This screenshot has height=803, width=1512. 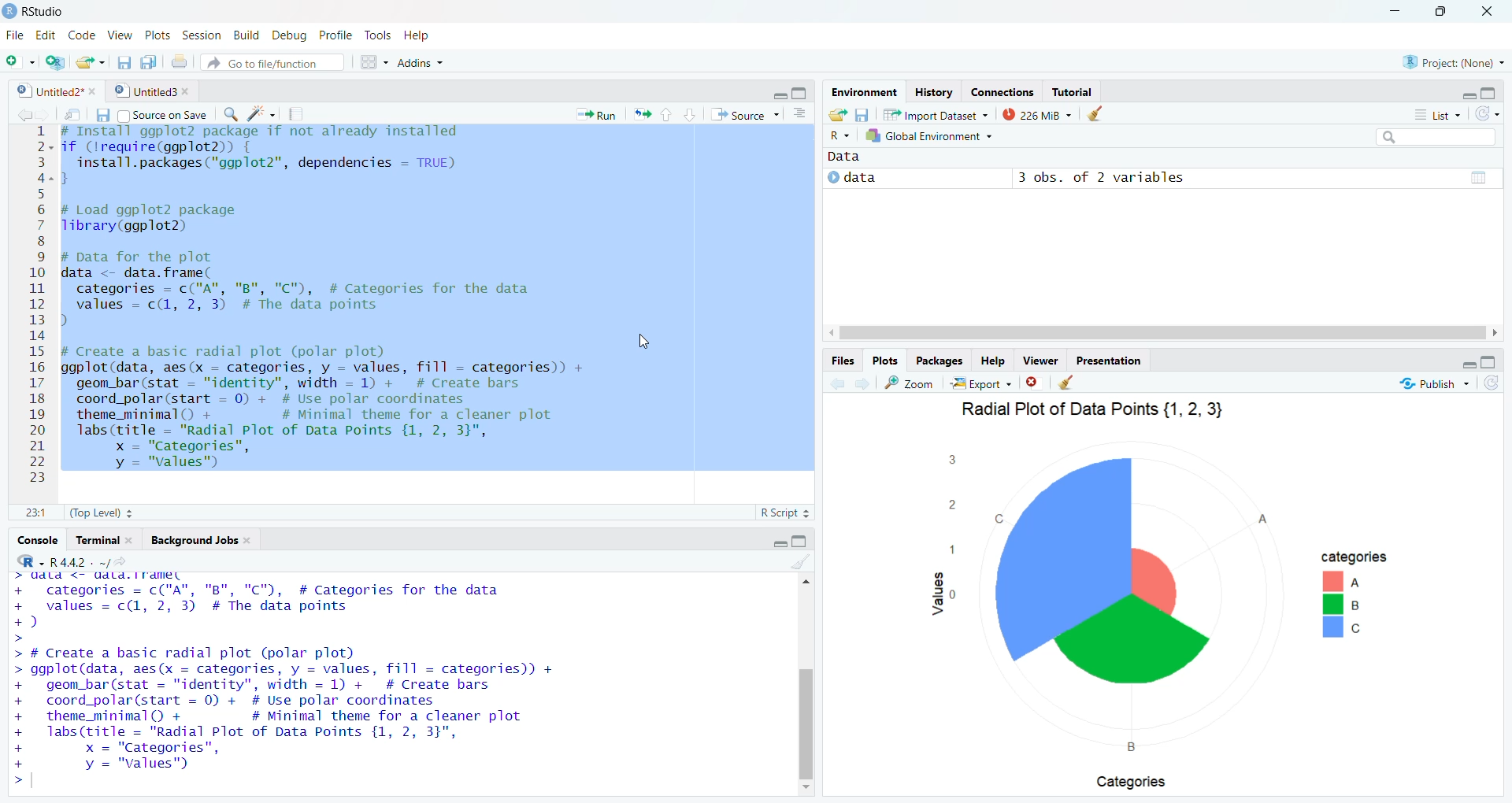 What do you see at coordinates (1436, 114) in the screenshot?
I see `List` at bounding box center [1436, 114].